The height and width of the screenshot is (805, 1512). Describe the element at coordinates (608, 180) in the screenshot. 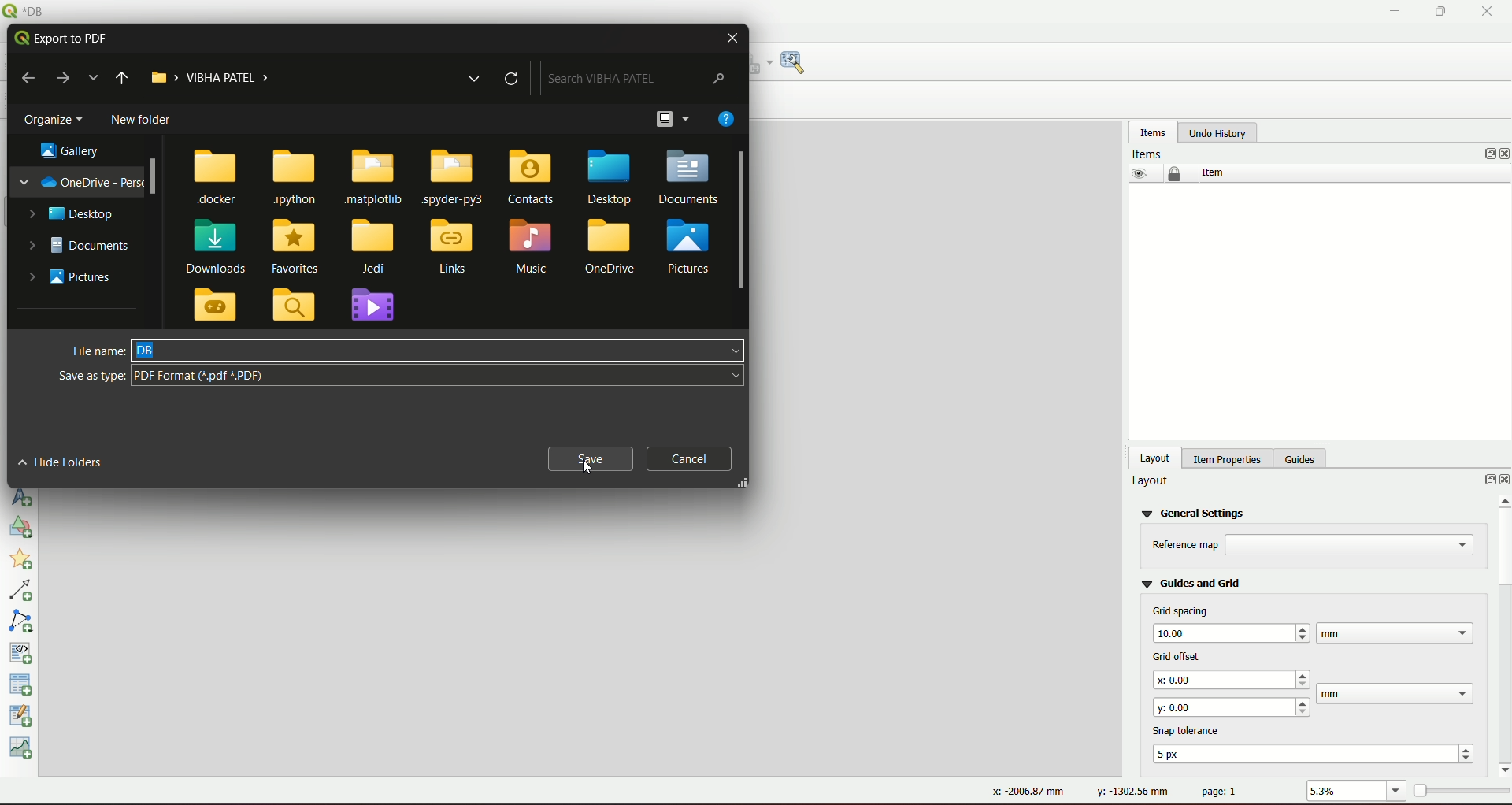

I see `Desktop` at that location.